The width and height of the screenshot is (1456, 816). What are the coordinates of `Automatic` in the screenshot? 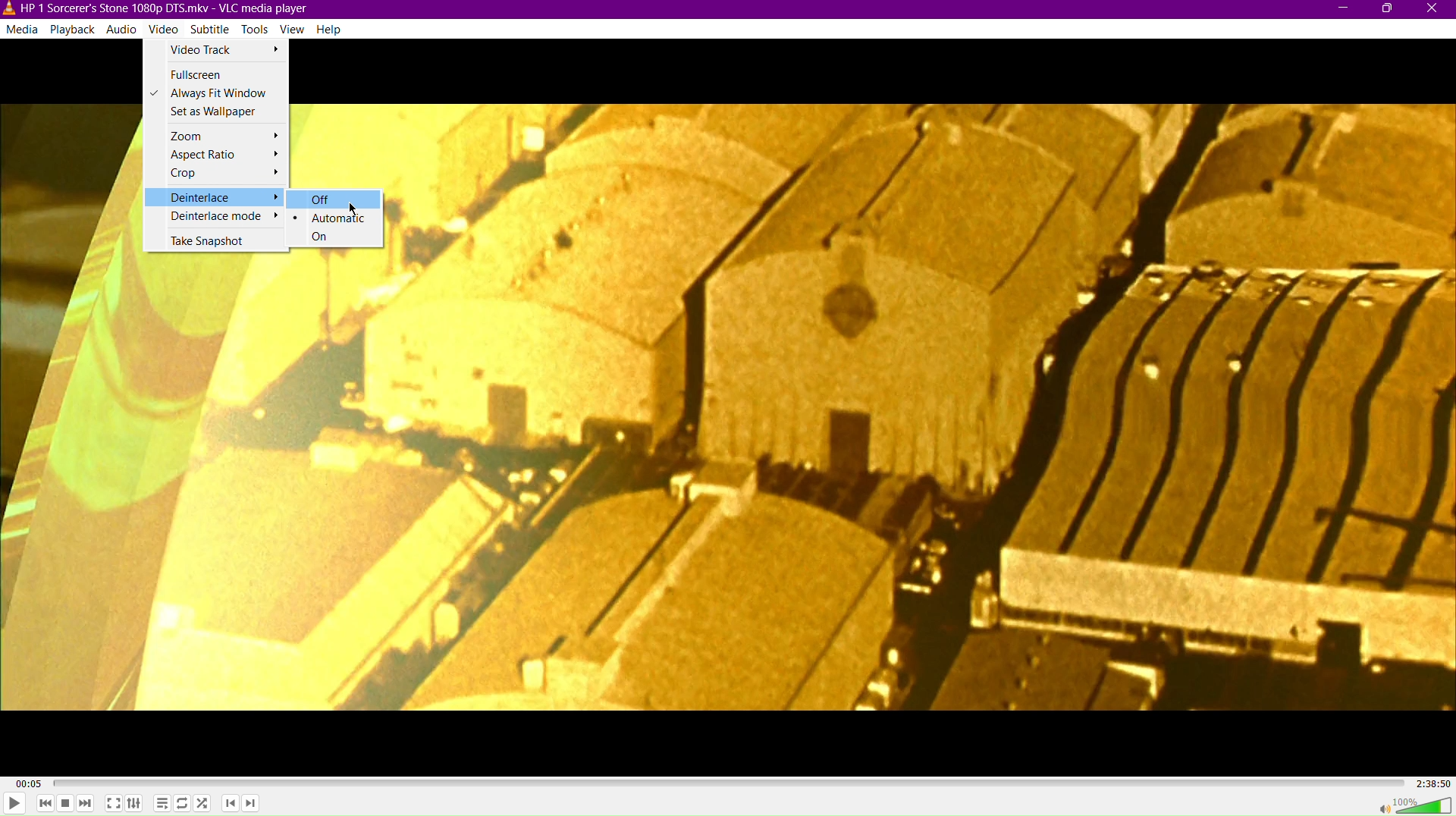 It's located at (335, 217).